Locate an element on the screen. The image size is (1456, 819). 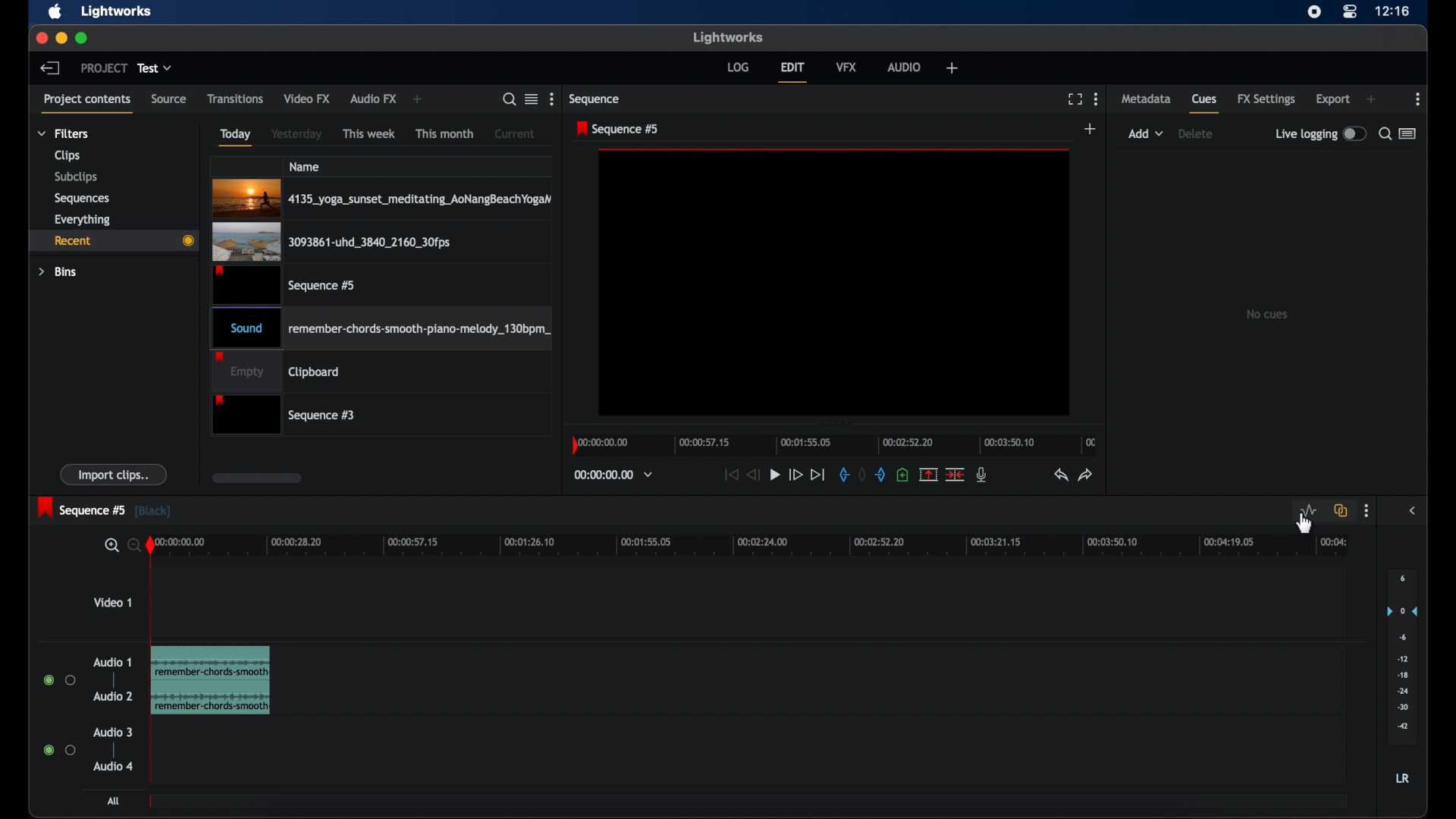
cut is located at coordinates (955, 474).